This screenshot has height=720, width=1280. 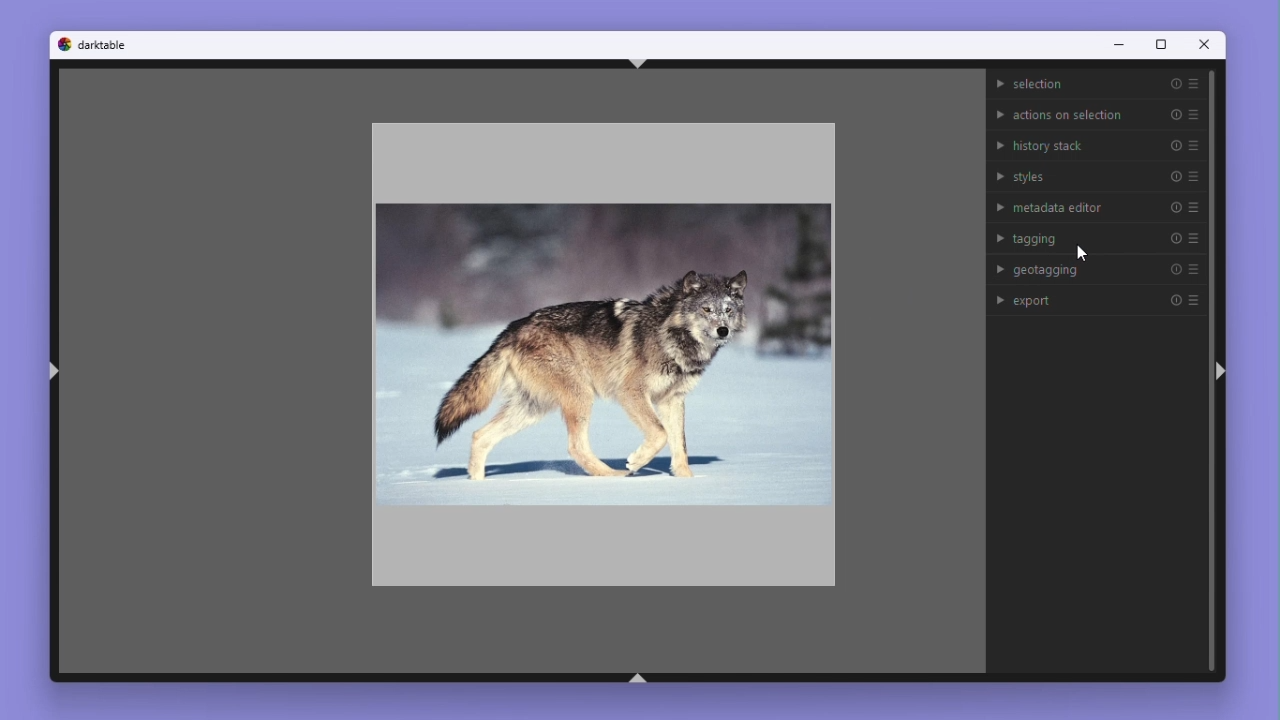 I want to click on Metadata editor, so click(x=1097, y=205).